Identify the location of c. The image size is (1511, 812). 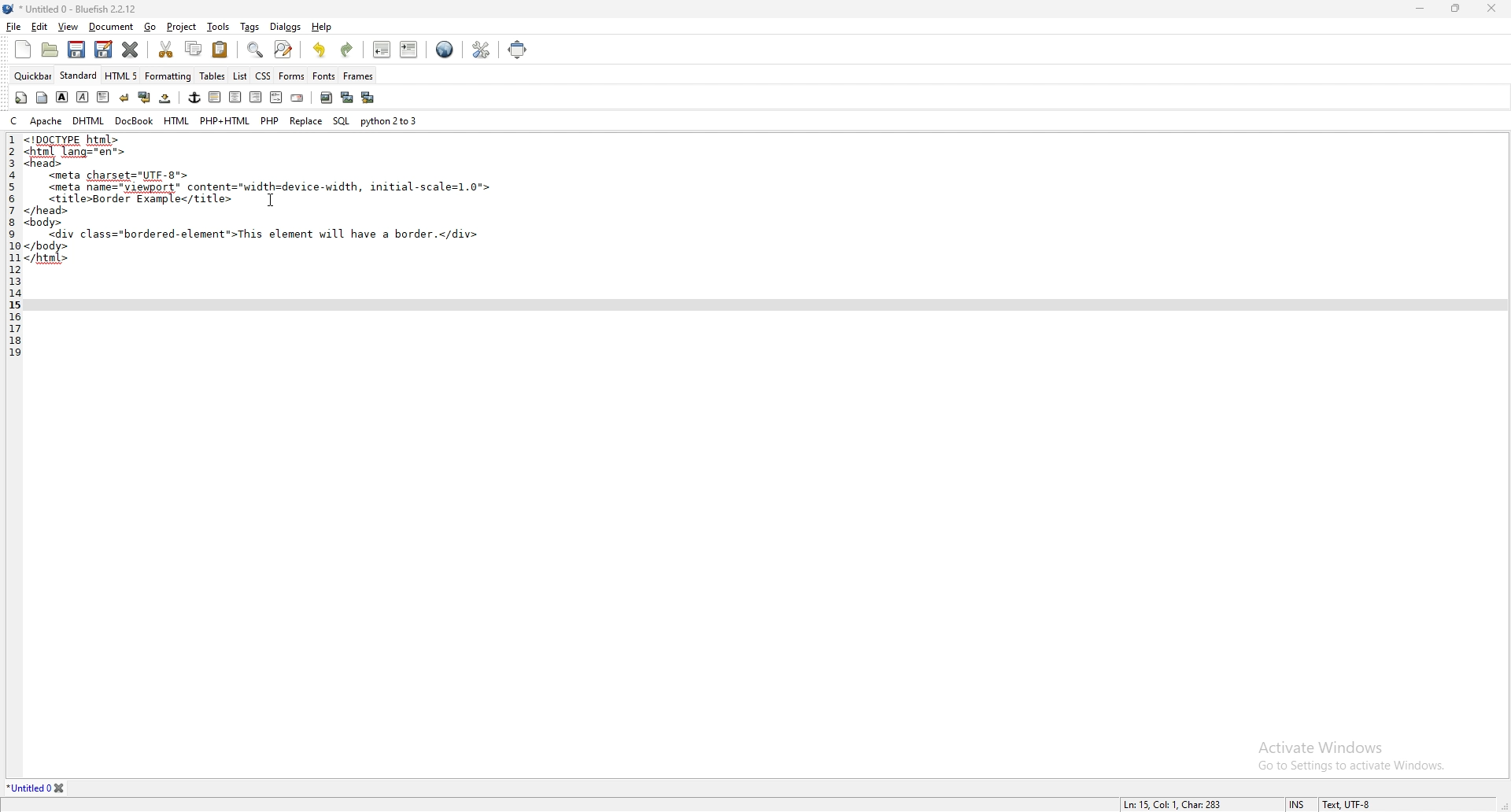
(16, 120).